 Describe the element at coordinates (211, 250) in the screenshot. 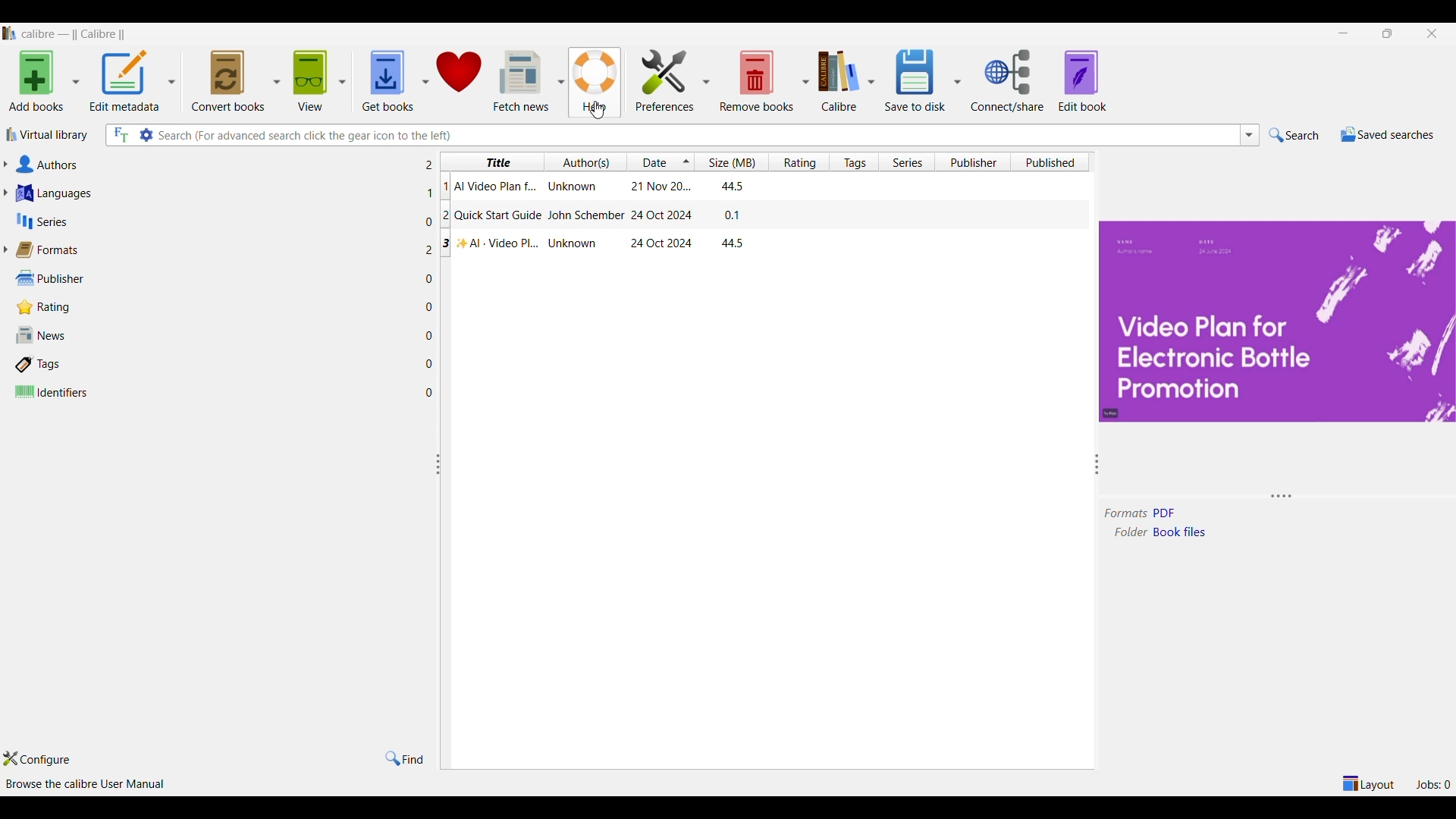

I see `Formats` at that location.